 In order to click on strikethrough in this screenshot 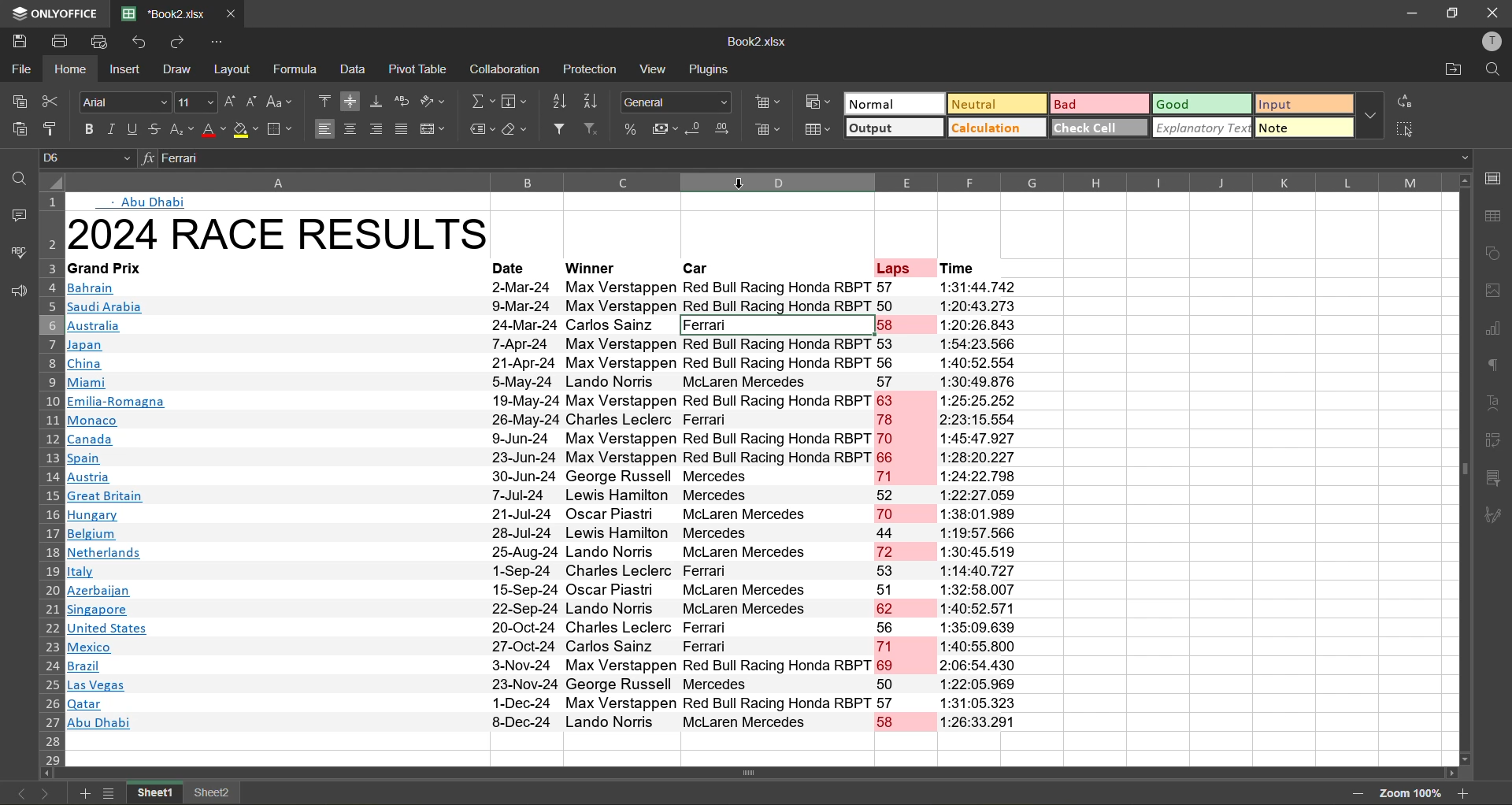, I will do `click(156, 128)`.